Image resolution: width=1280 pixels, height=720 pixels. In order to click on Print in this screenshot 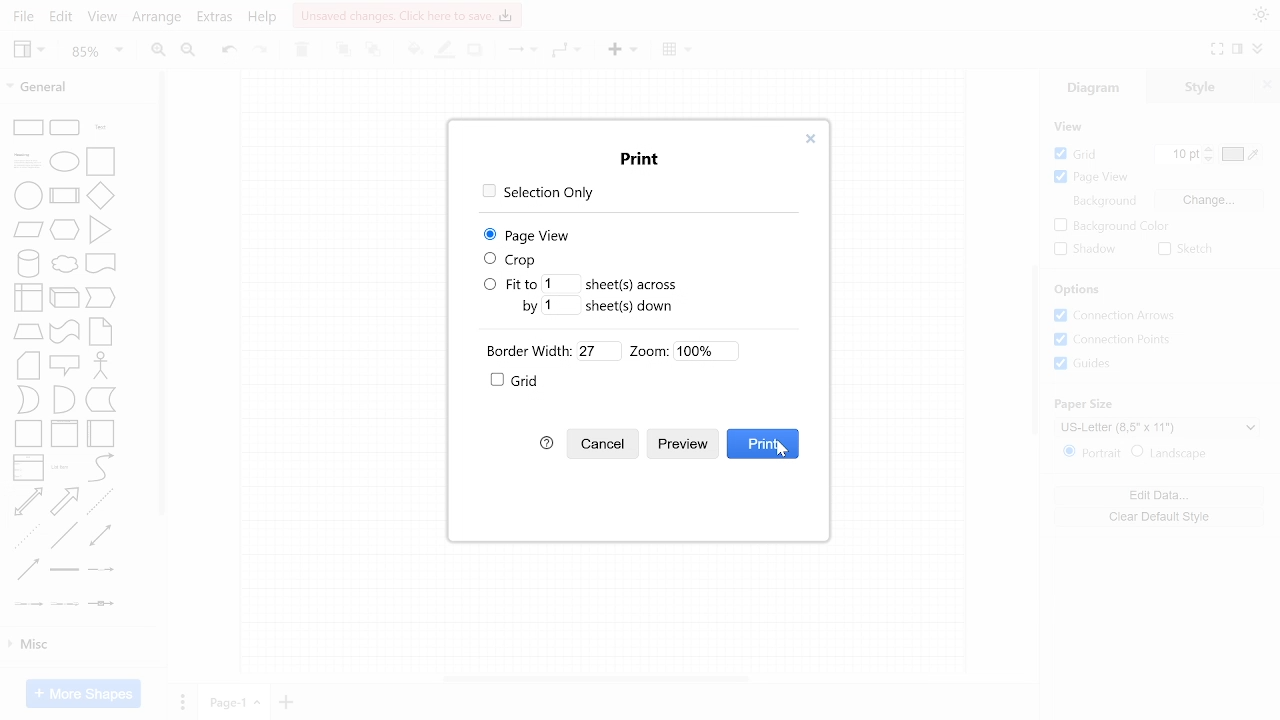, I will do `click(763, 444)`.